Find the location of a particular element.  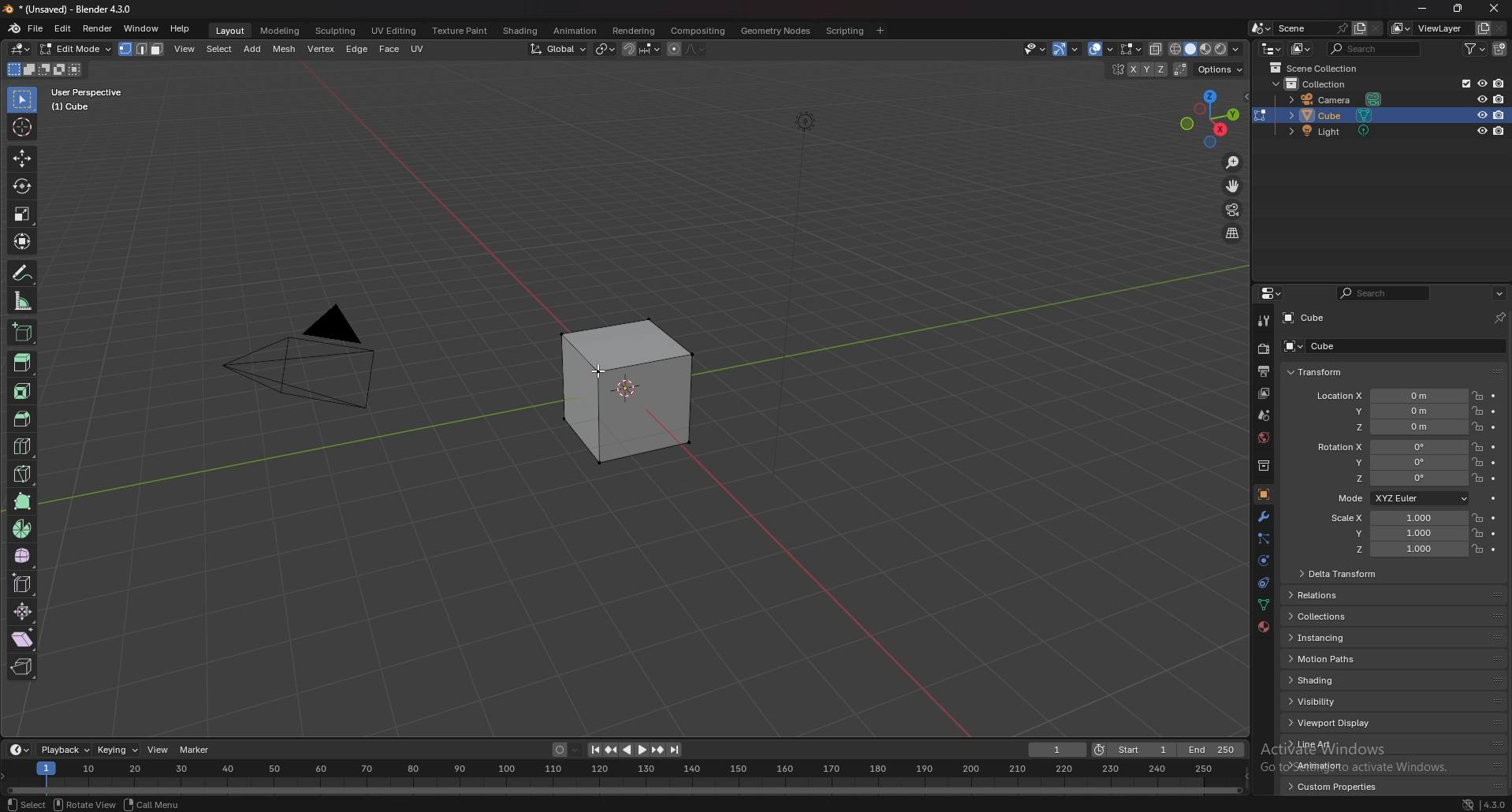

display mode is located at coordinates (1302, 50).